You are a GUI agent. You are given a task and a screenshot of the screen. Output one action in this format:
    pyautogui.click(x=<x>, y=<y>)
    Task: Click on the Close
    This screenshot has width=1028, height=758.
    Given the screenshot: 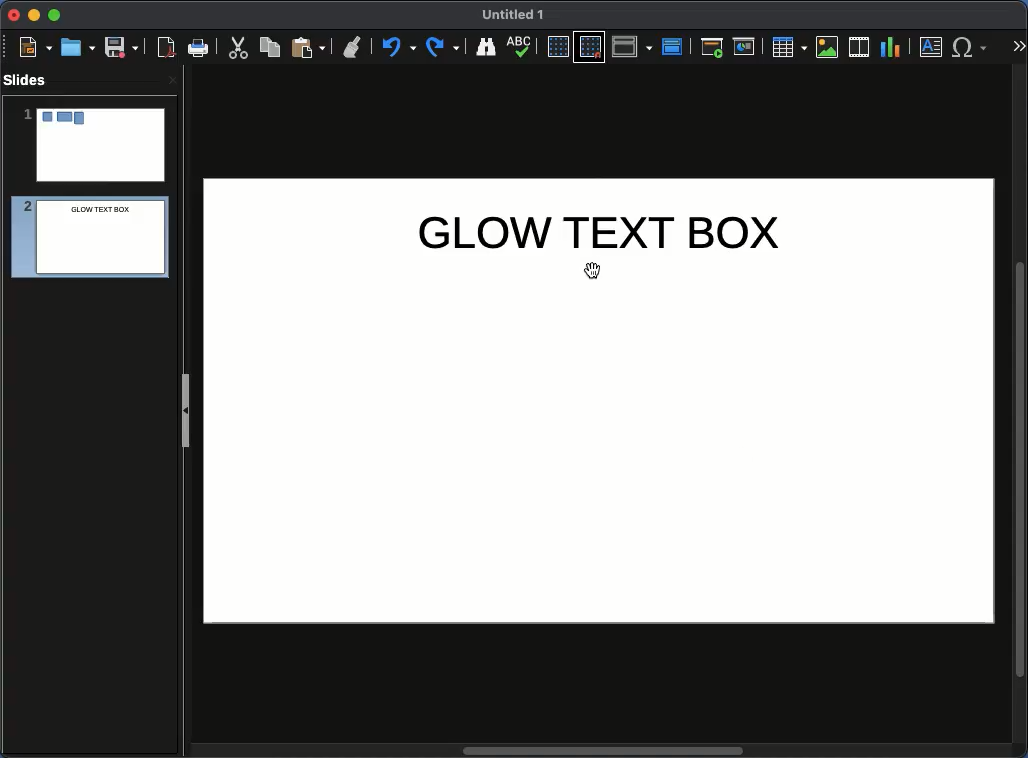 What is the action you would take?
    pyautogui.click(x=15, y=15)
    